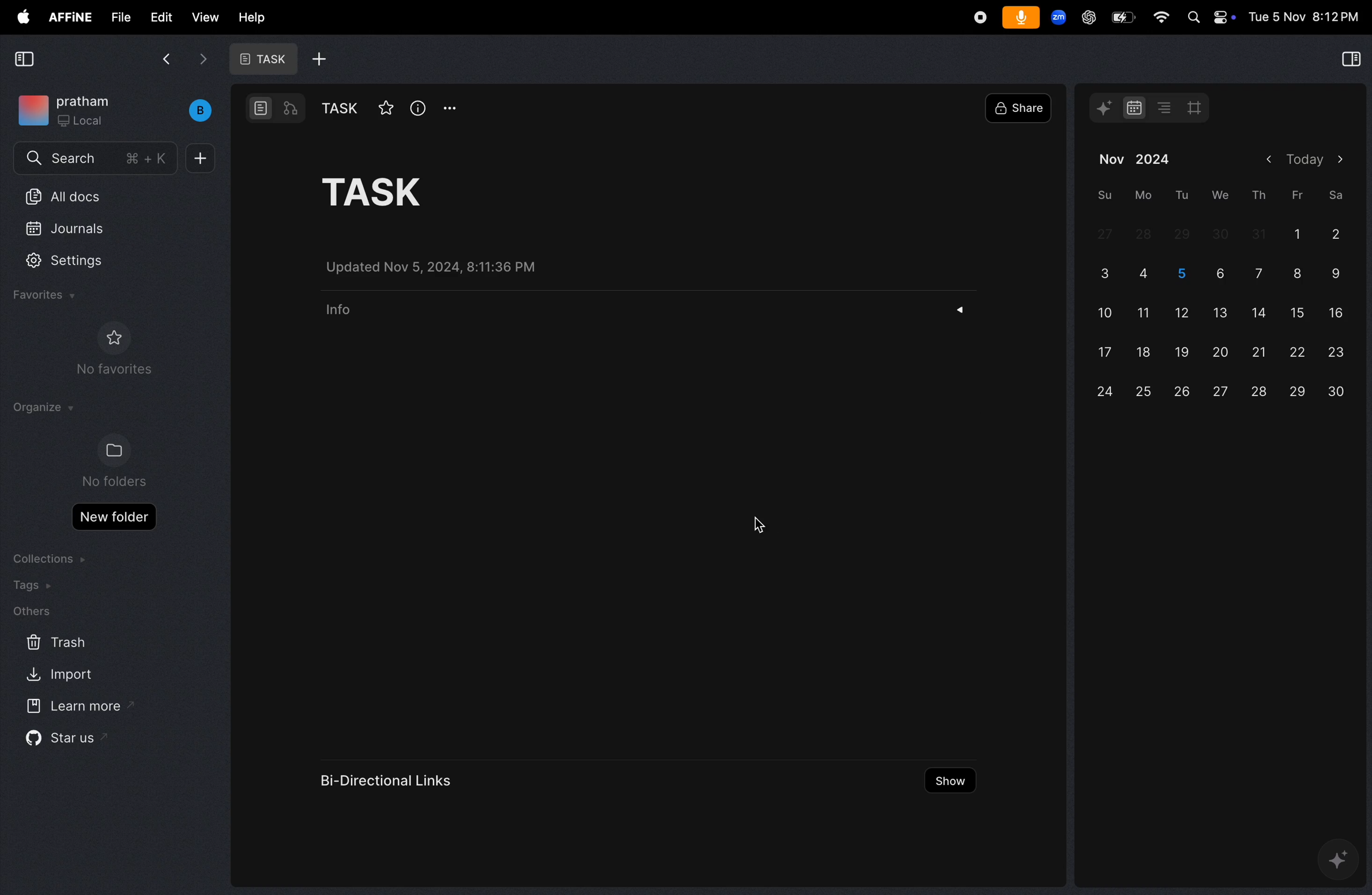 This screenshot has height=895, width=1372. What do you see at coordinates (385, 107) in the screenshot?
I see `star` at bounding box center [385, 107].